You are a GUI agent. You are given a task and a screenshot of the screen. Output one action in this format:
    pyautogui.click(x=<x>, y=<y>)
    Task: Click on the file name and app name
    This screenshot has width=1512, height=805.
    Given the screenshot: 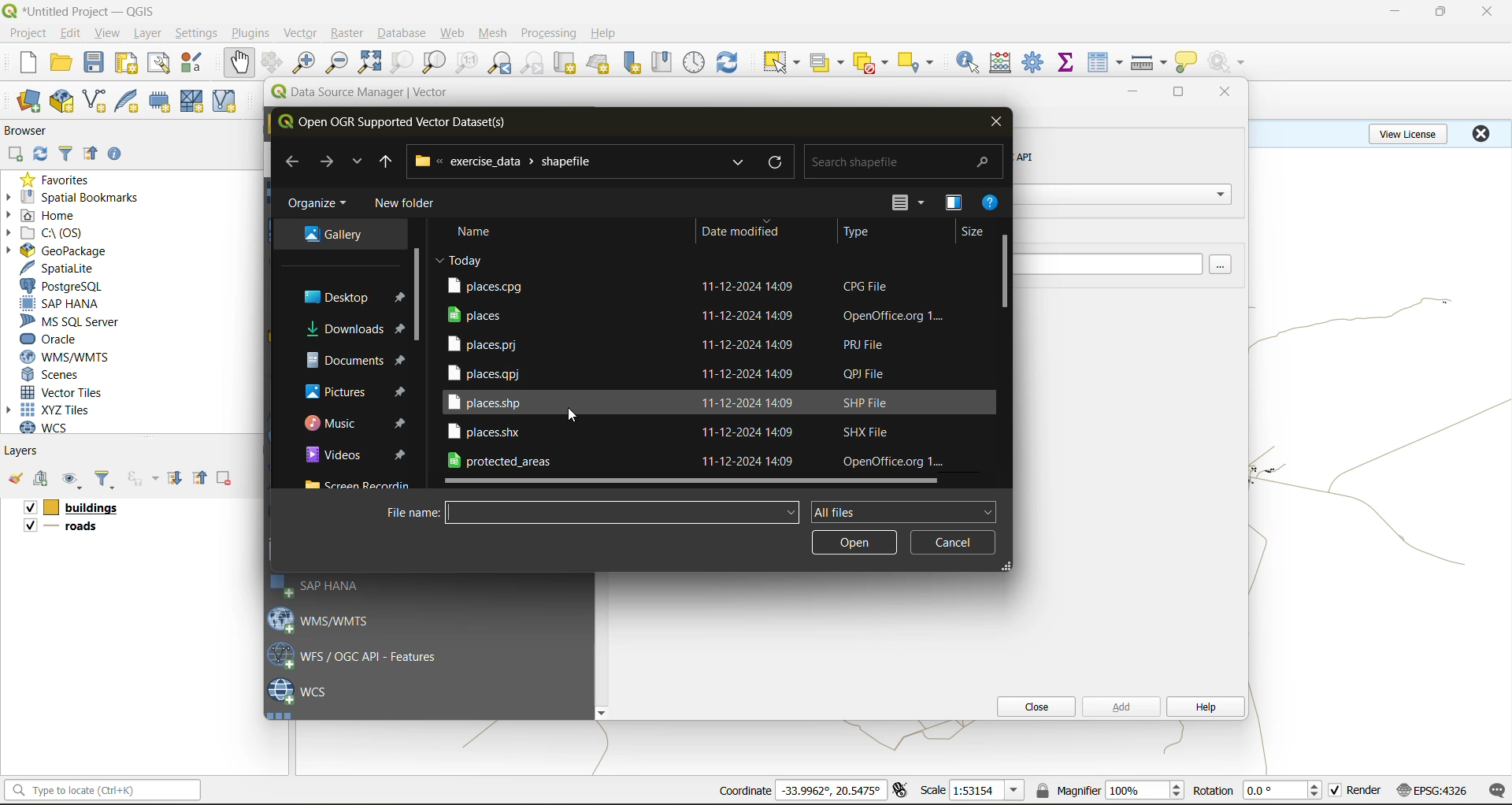 What is the action you would take?
    pyautogui.click(x=83, y=10)
    